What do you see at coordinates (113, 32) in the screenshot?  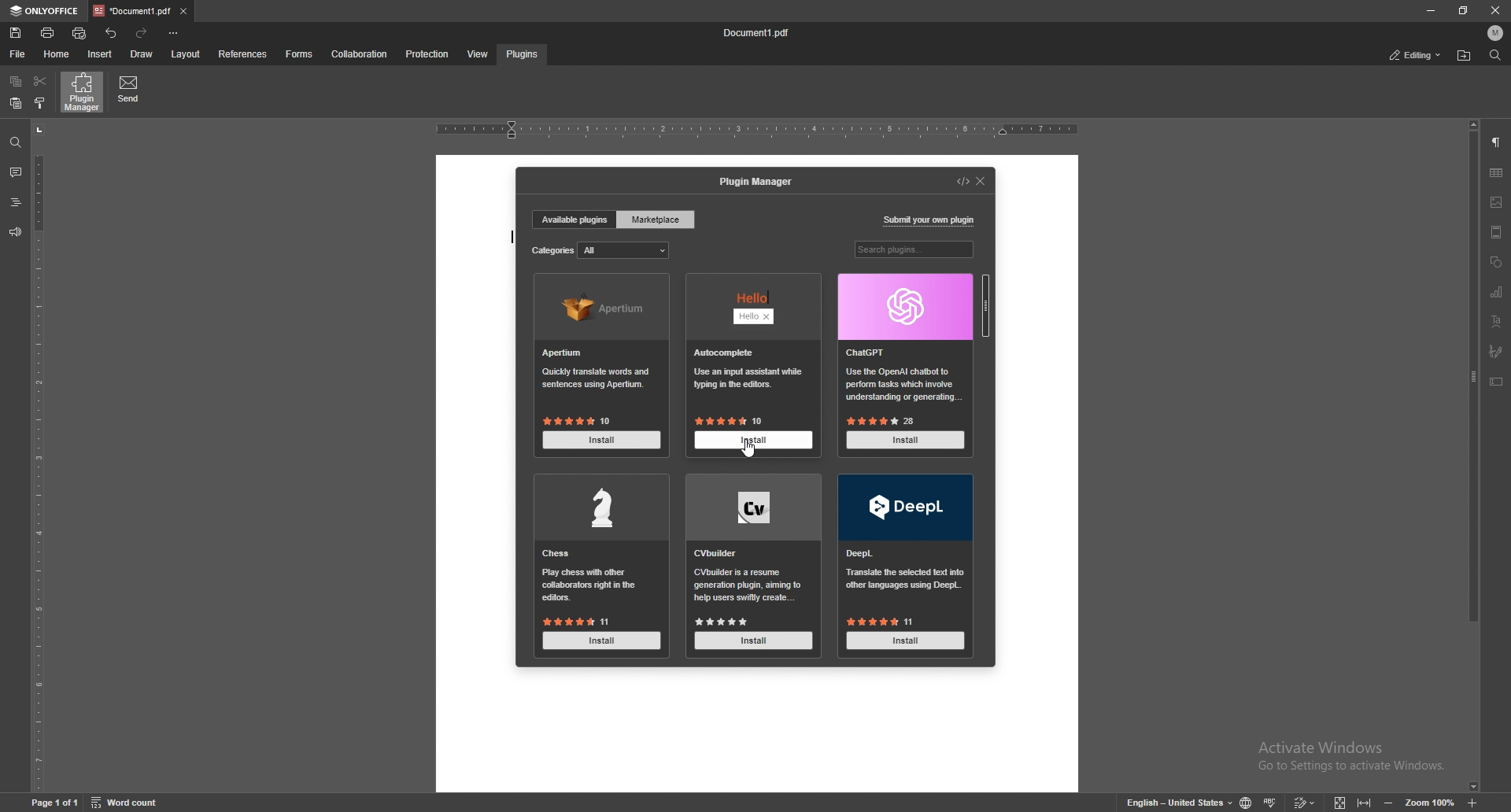 I see `undo` at bounding box center [113, 32].